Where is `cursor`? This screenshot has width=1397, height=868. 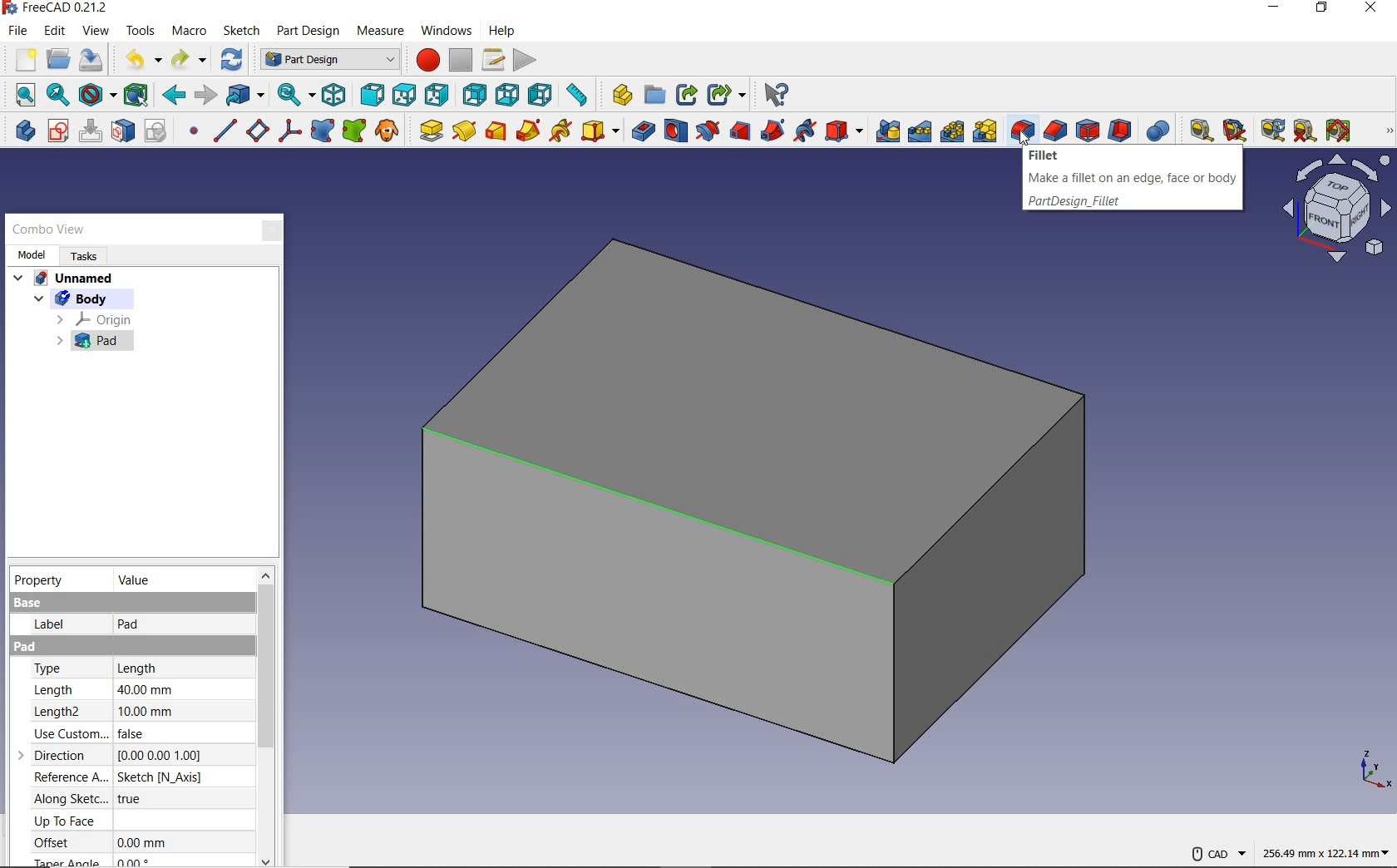
cursor is located at coordinates (1024, 137).